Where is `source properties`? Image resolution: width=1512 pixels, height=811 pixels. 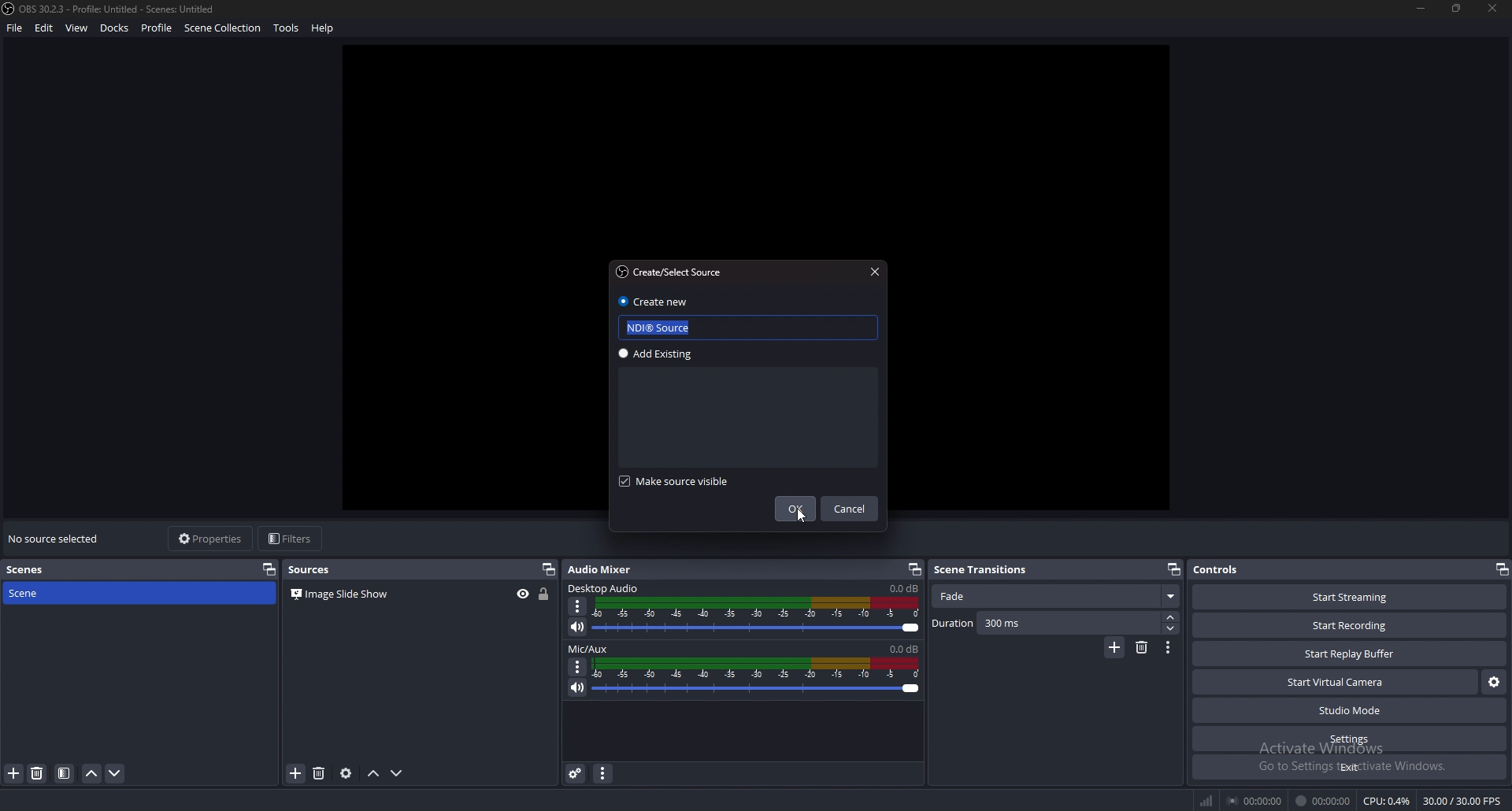 source properties is located at coordinates (346, 773).